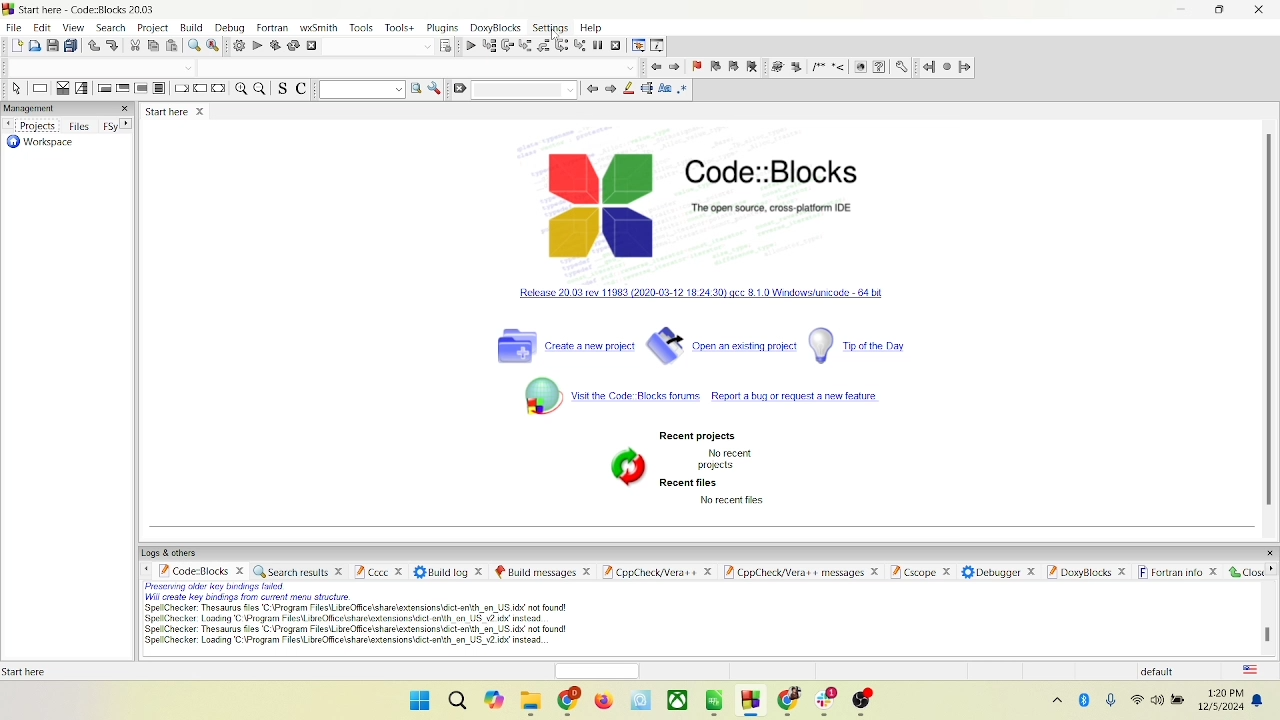  What do you see at coordinates (697, 65) in the screenshot?
I see `toggle bookmark` at bounding box center [697, 65].